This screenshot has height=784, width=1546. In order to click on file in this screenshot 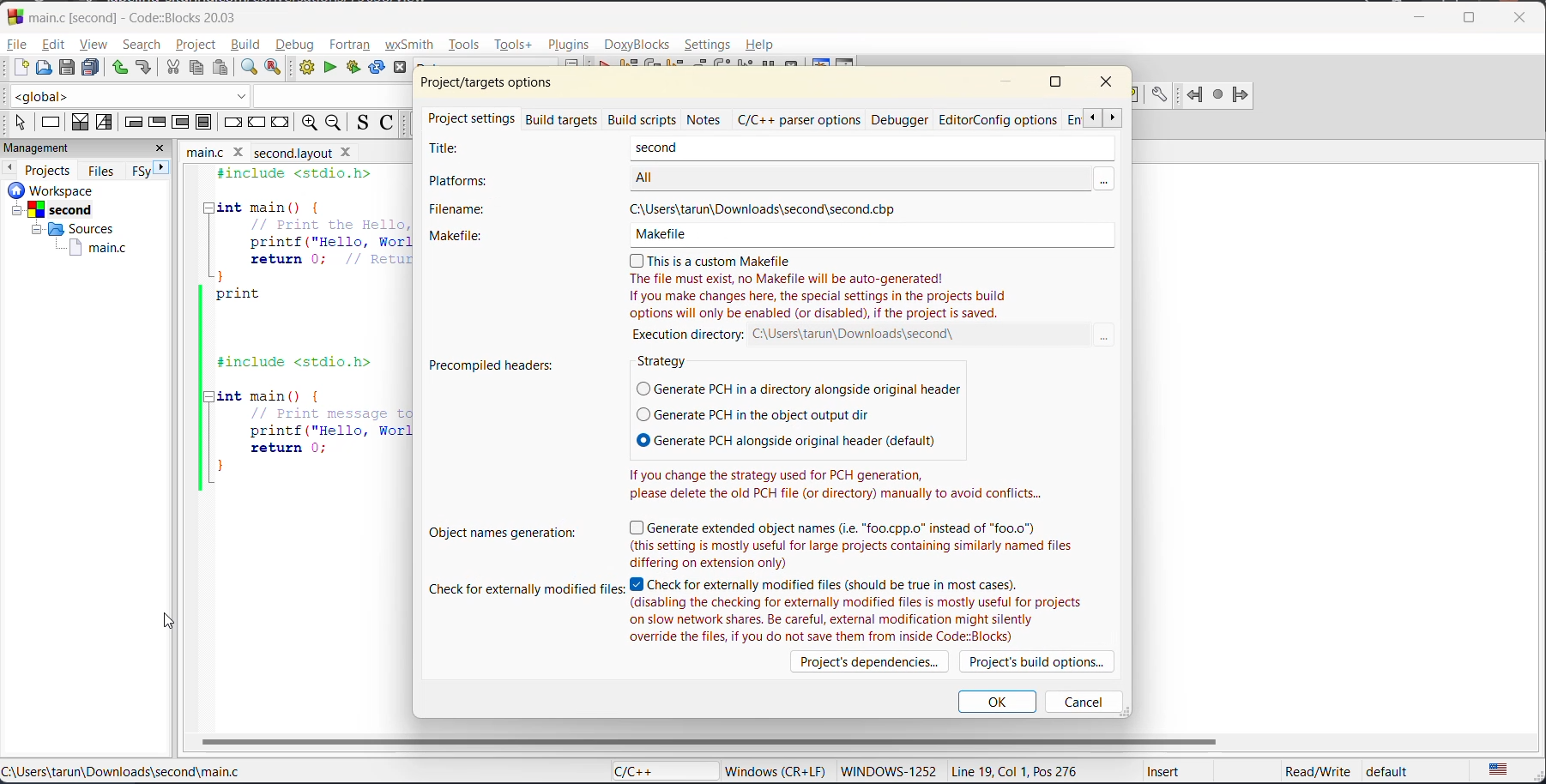, I will do `click(17, 45)`.